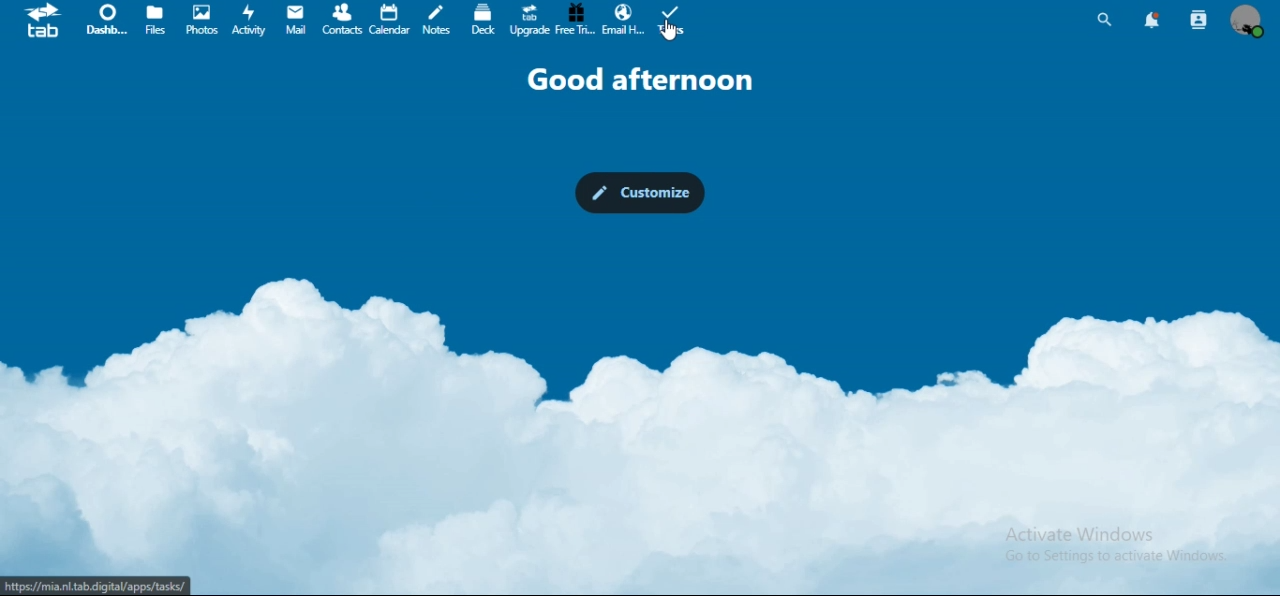 The height and width of the screenshot is (596, 1280). I want to click on upgrade, so click(529, 20).